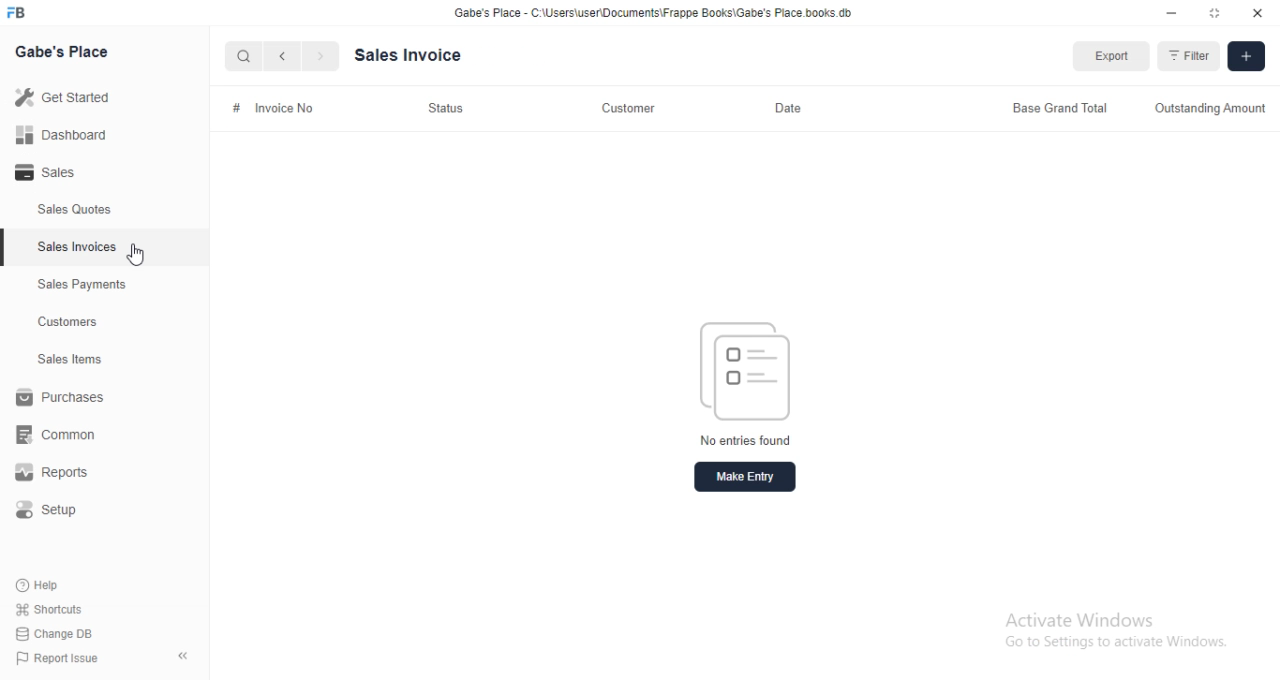 The width and height of the screenshot is (1280, 680). Describe the element at coordinates (74, 212) in the screenshot. I see `Sales Quotes` at that location.